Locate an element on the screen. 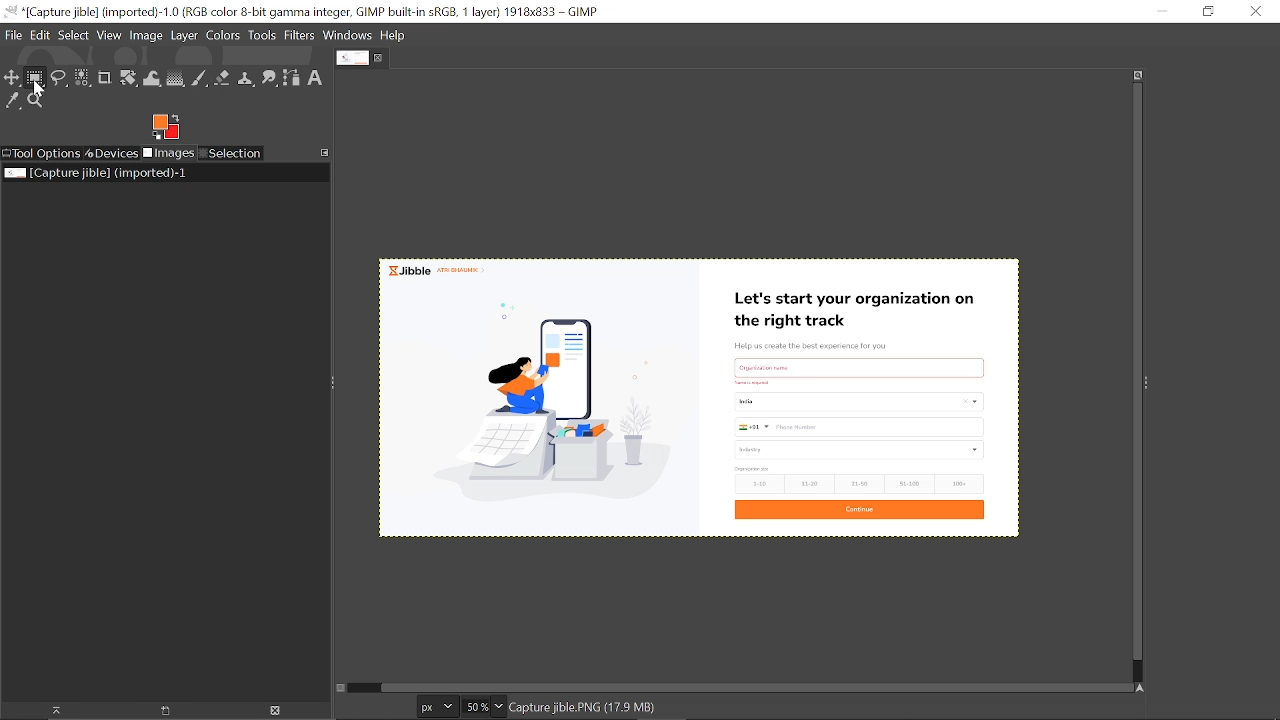 The height and width of the screenshot is (720, 1280). Let's start your organization on
the right track is located at coordinates (861, 305).